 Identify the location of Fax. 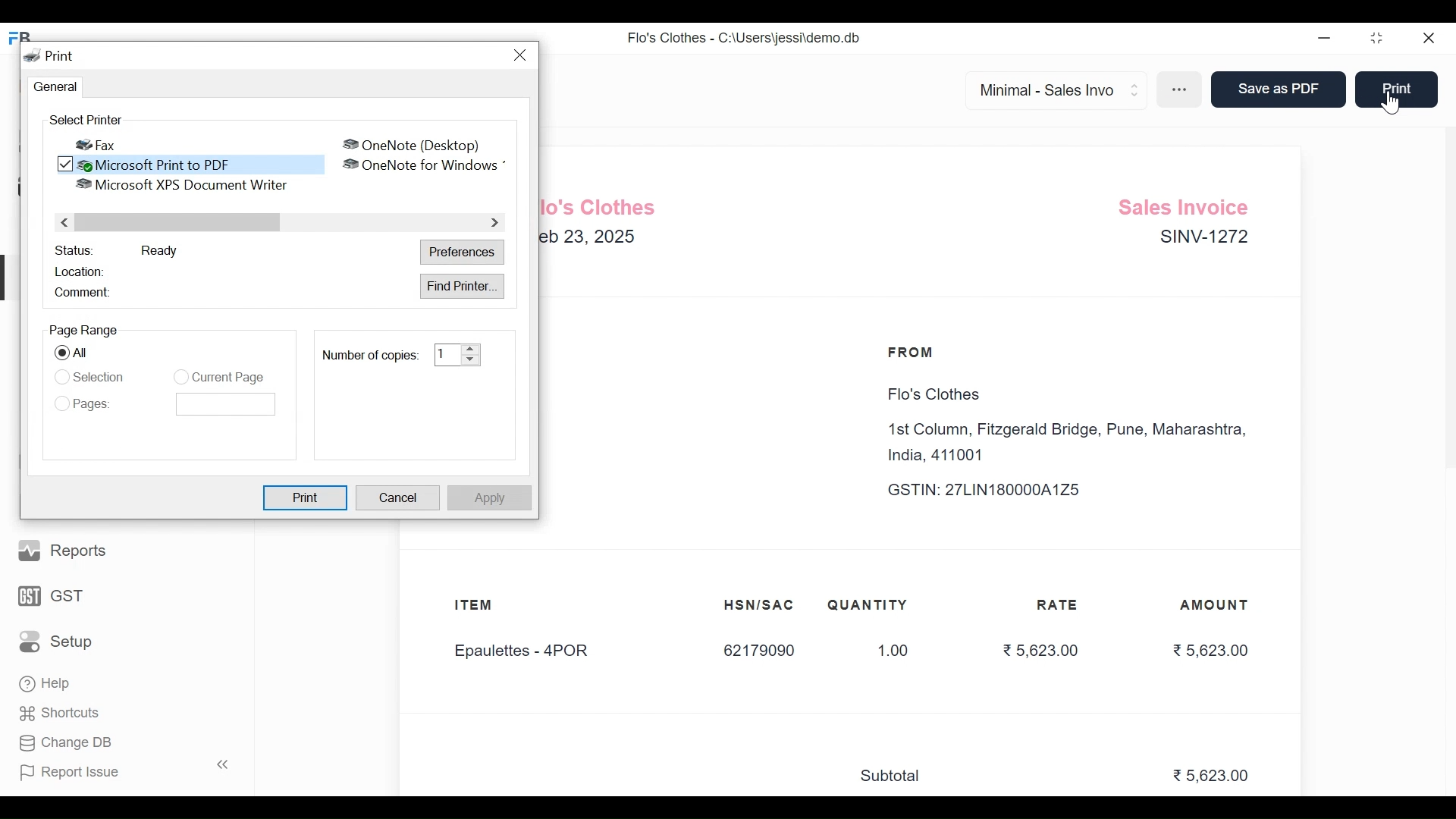
(98, 144).